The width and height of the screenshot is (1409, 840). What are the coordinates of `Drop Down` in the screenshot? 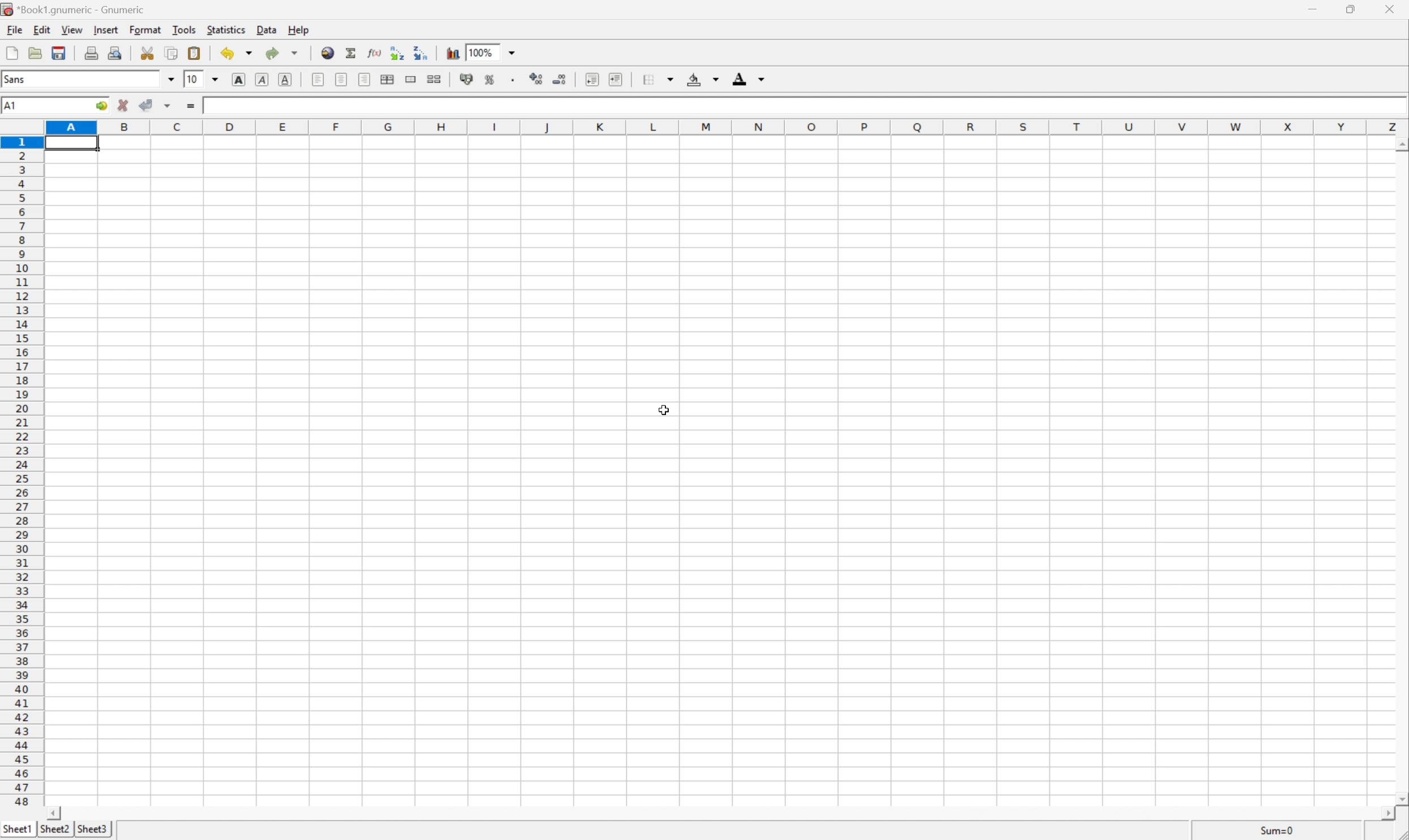 It's located at (513, 52).